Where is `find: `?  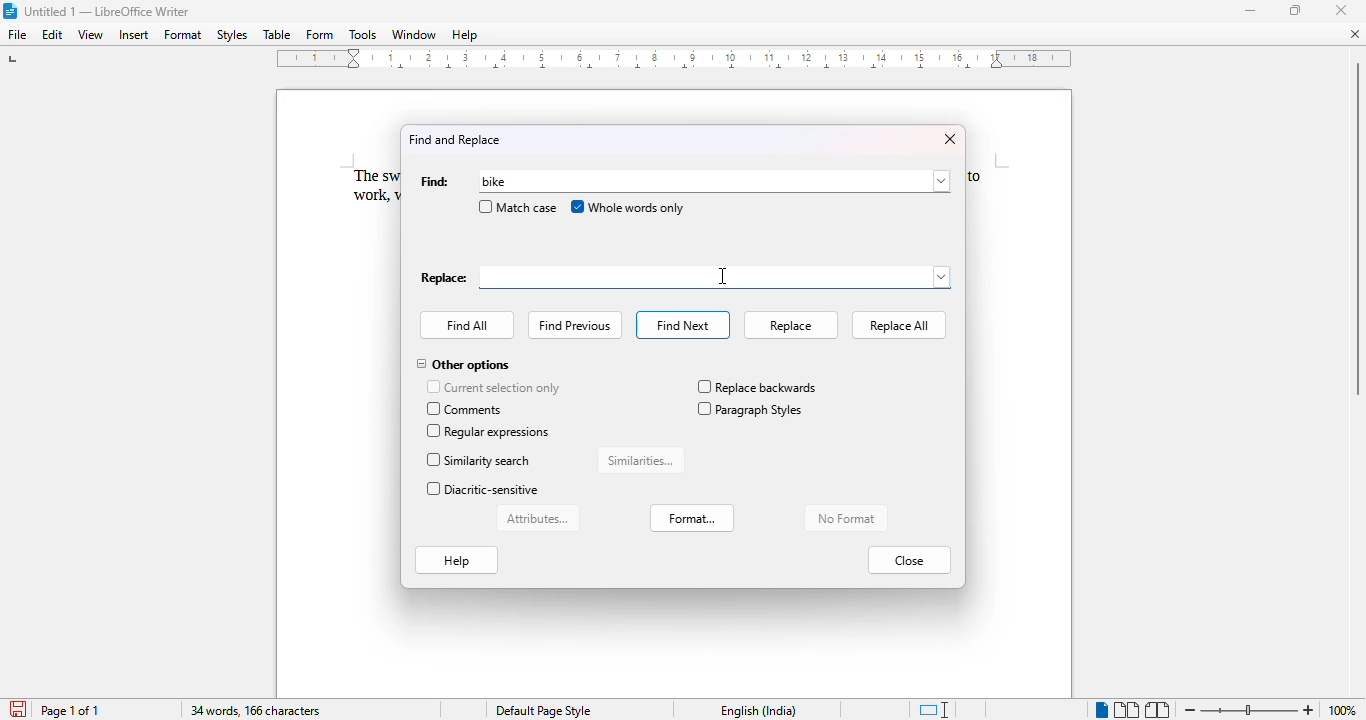 find:  is located at coordinates (435, 182).